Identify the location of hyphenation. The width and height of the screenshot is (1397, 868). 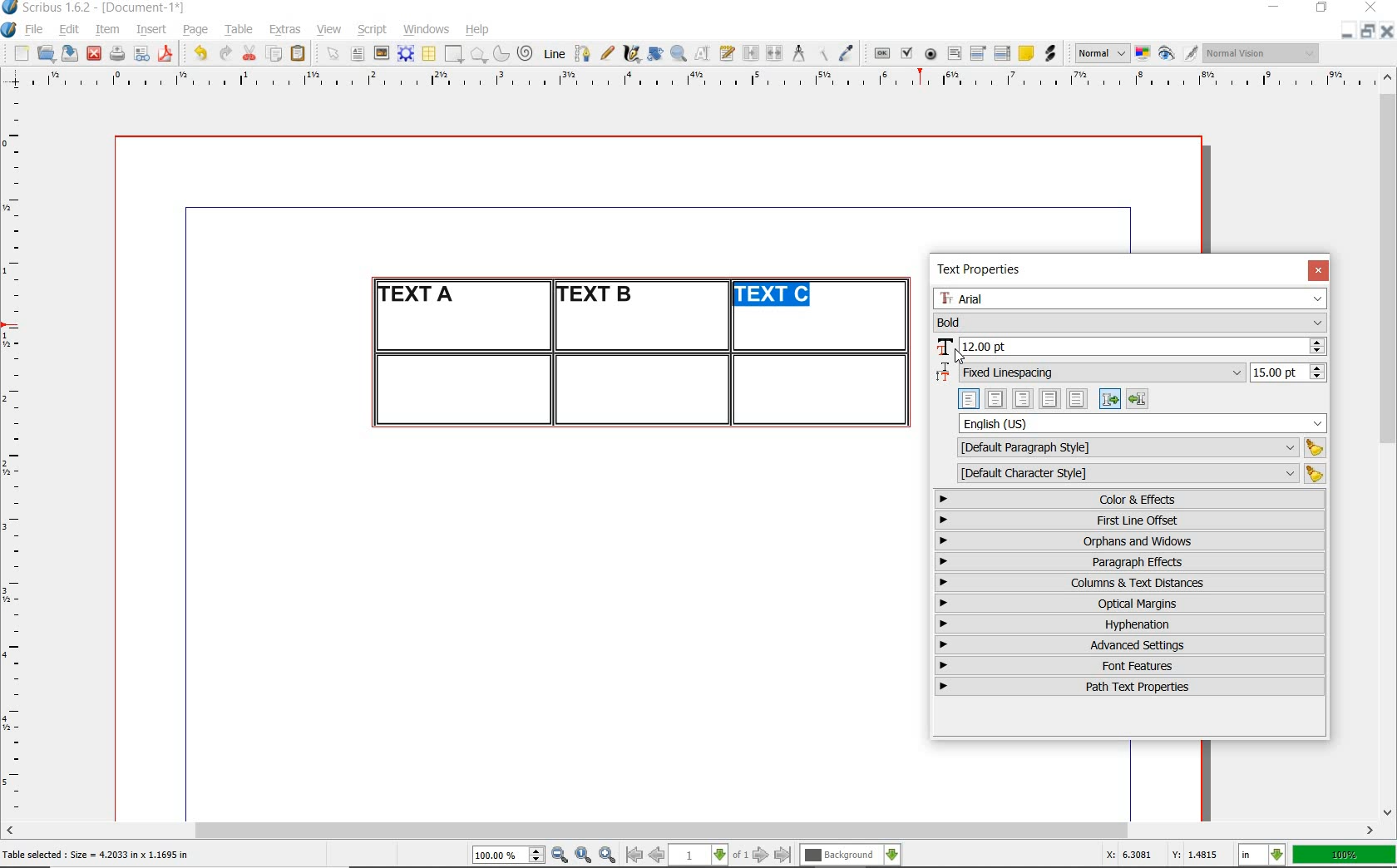
(1130, 624).